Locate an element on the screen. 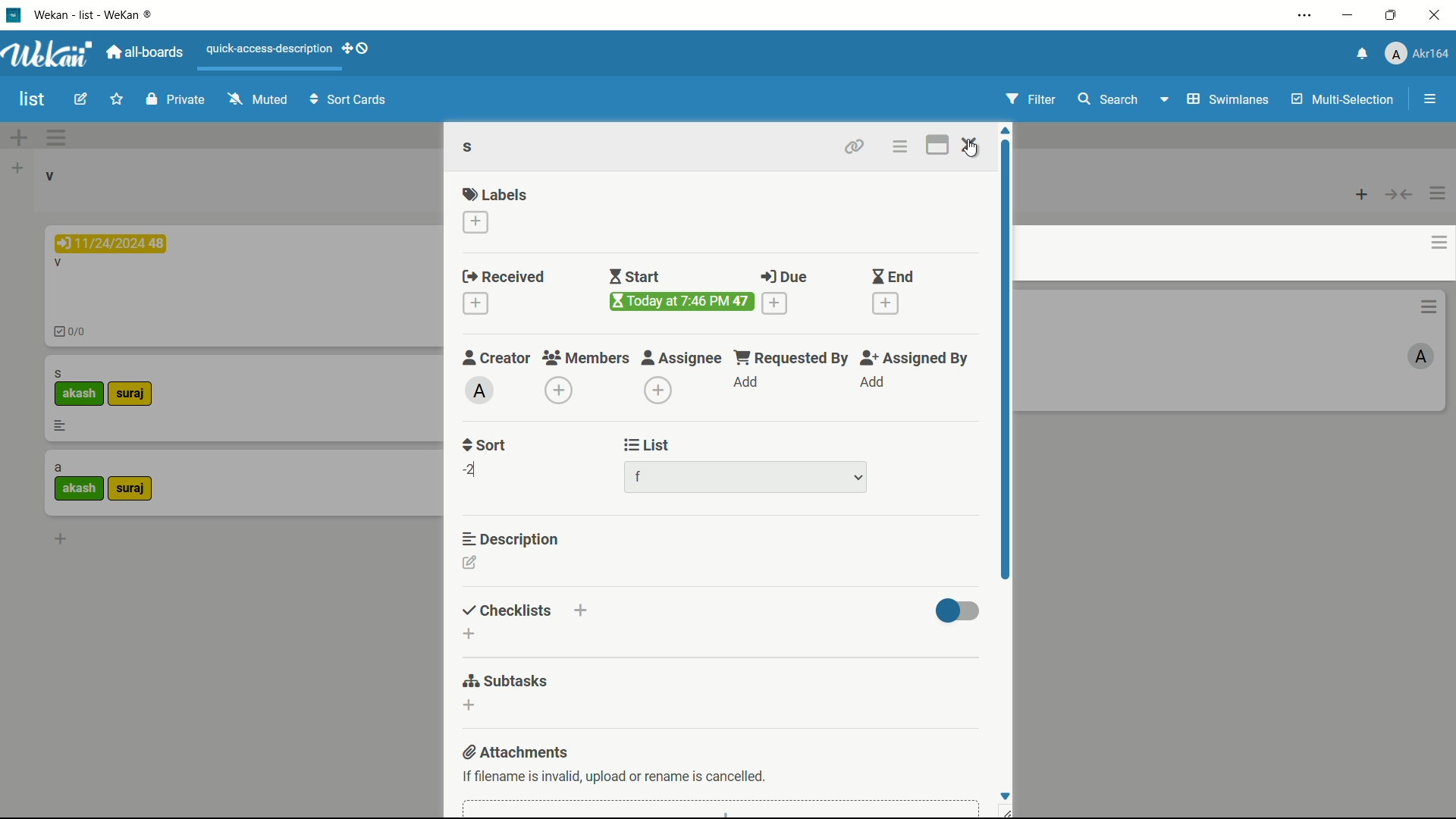 This screenshot has width=1456, height=819. scroll bar is located at coordinates (1005, 359).